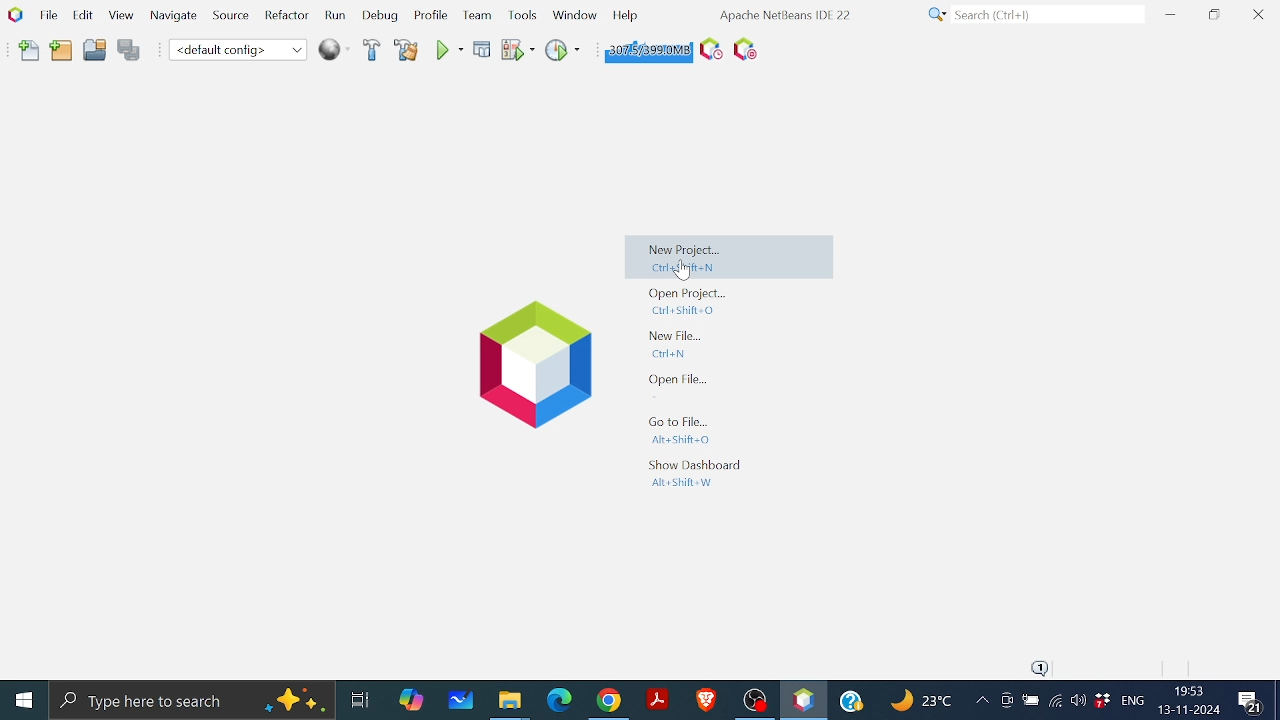 This screenshot has width=1280, height=720. I want to click on Date and time, so click(1188, 700).